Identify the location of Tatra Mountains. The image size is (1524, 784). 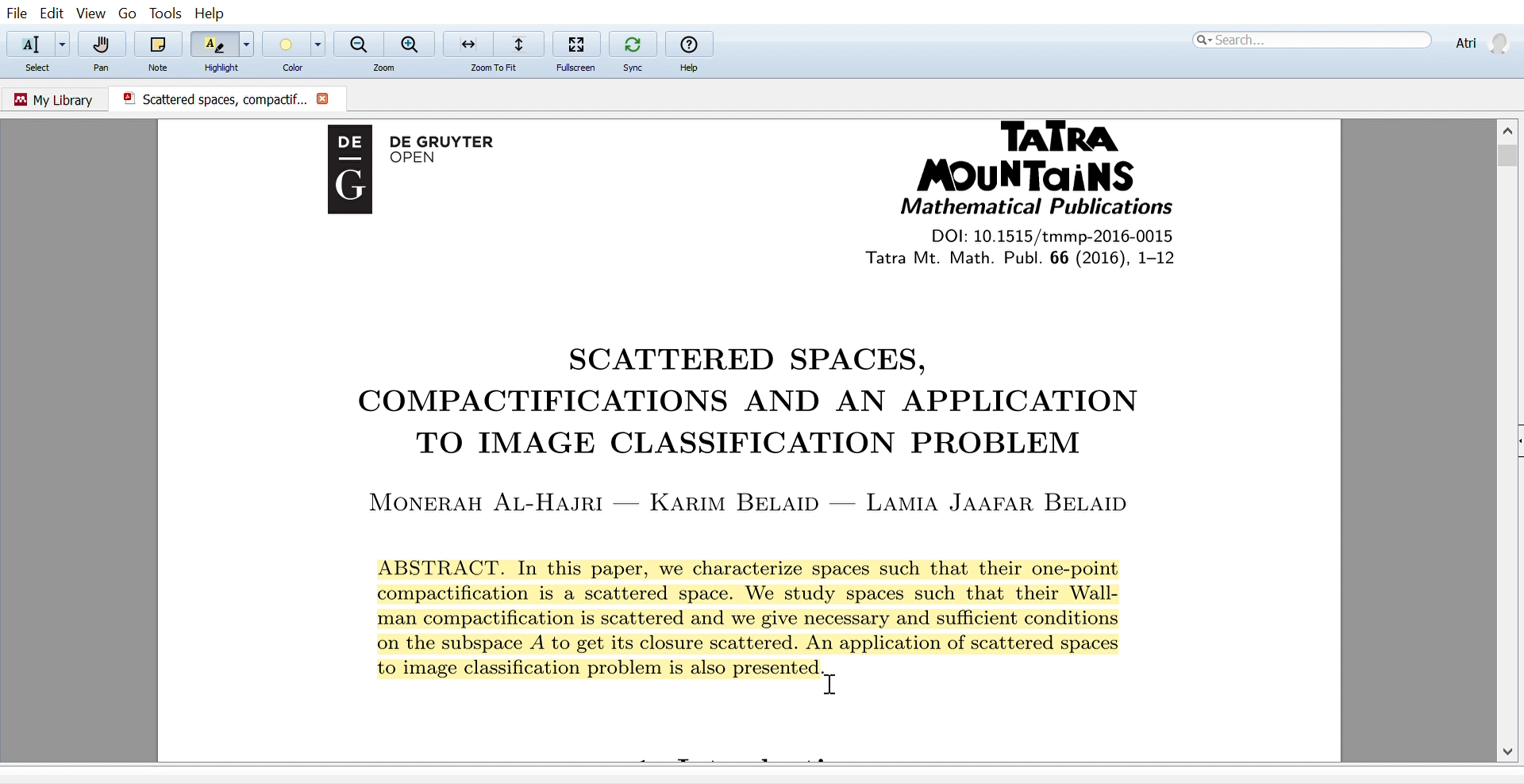
(1045, 157).